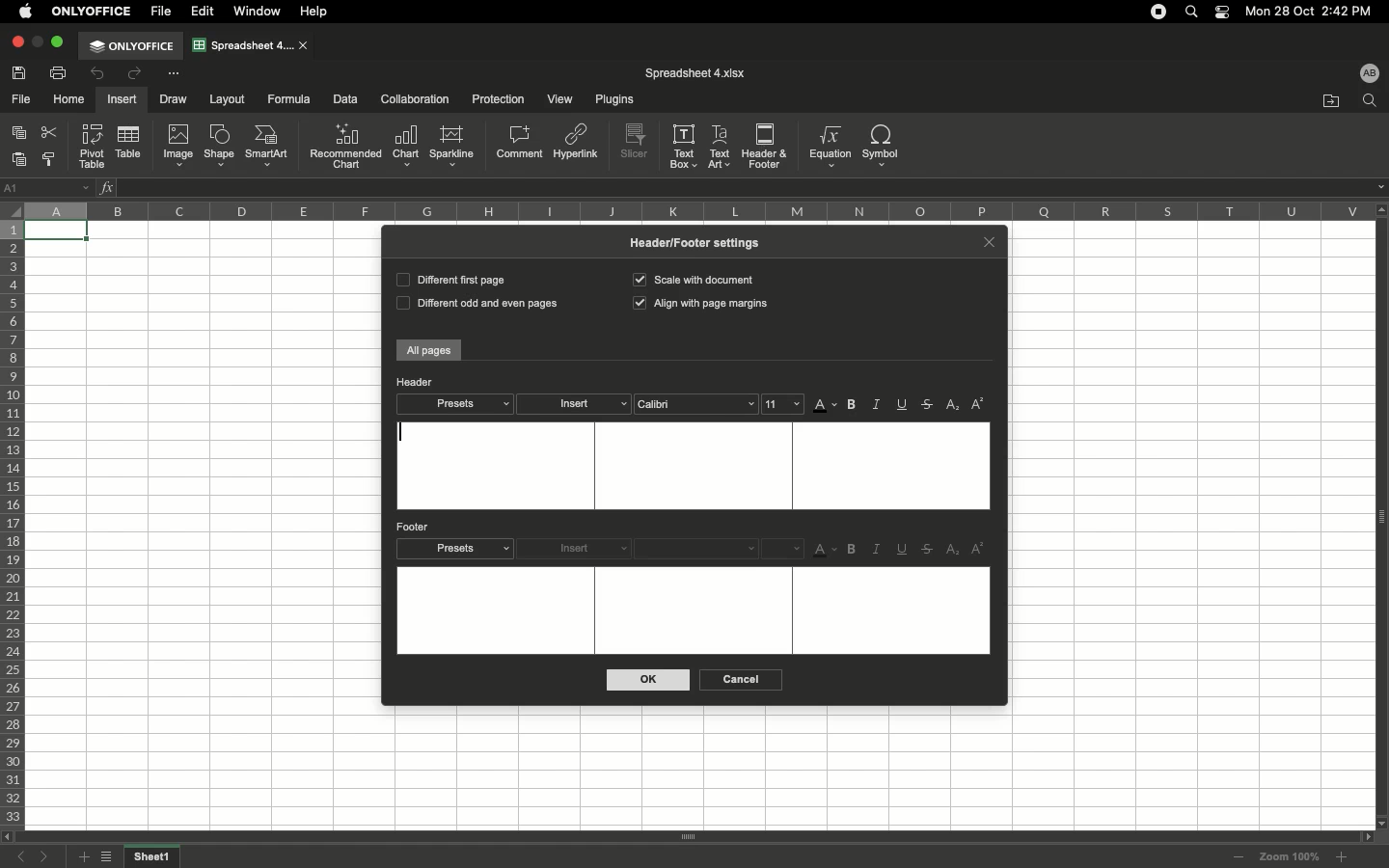 Image resolution: width=1389 pixels, height=868 pixels. I want to click on OnlyOffice tab, so click(131, 46).